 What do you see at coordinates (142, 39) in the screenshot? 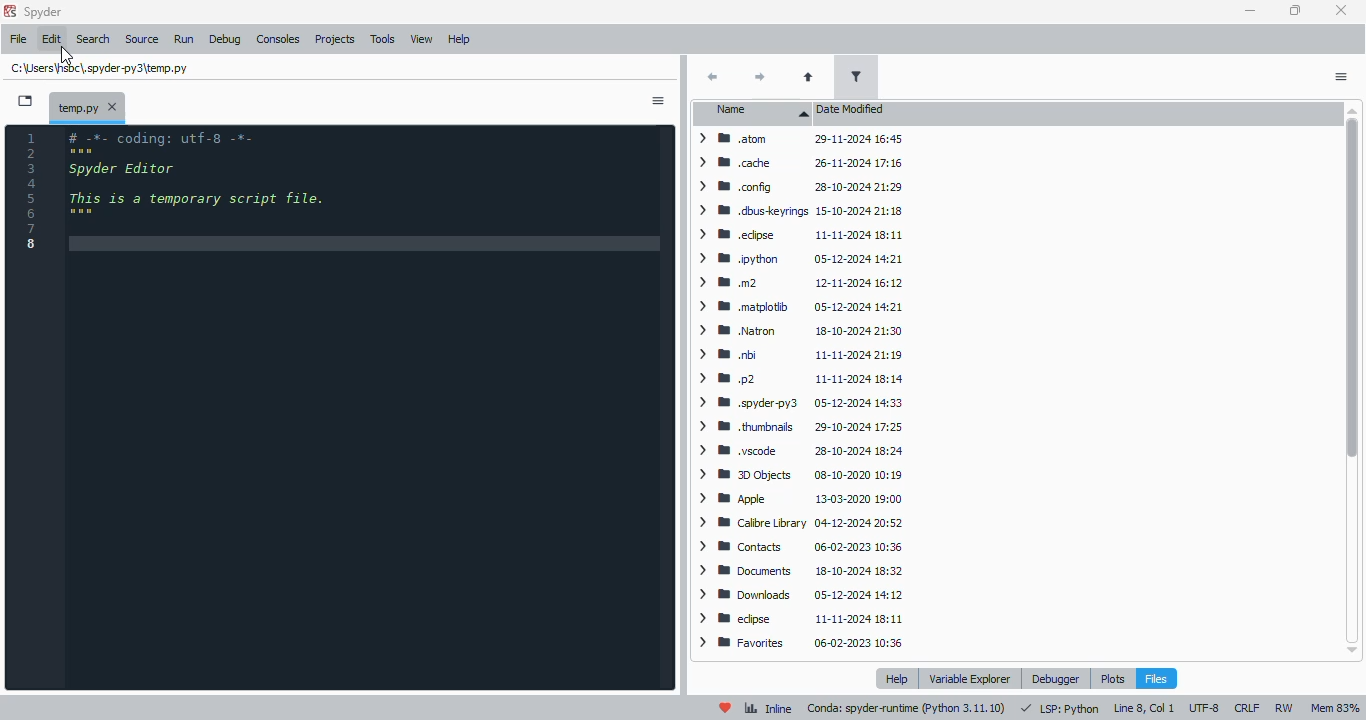
I see `source` at bounding box center [142, 39].